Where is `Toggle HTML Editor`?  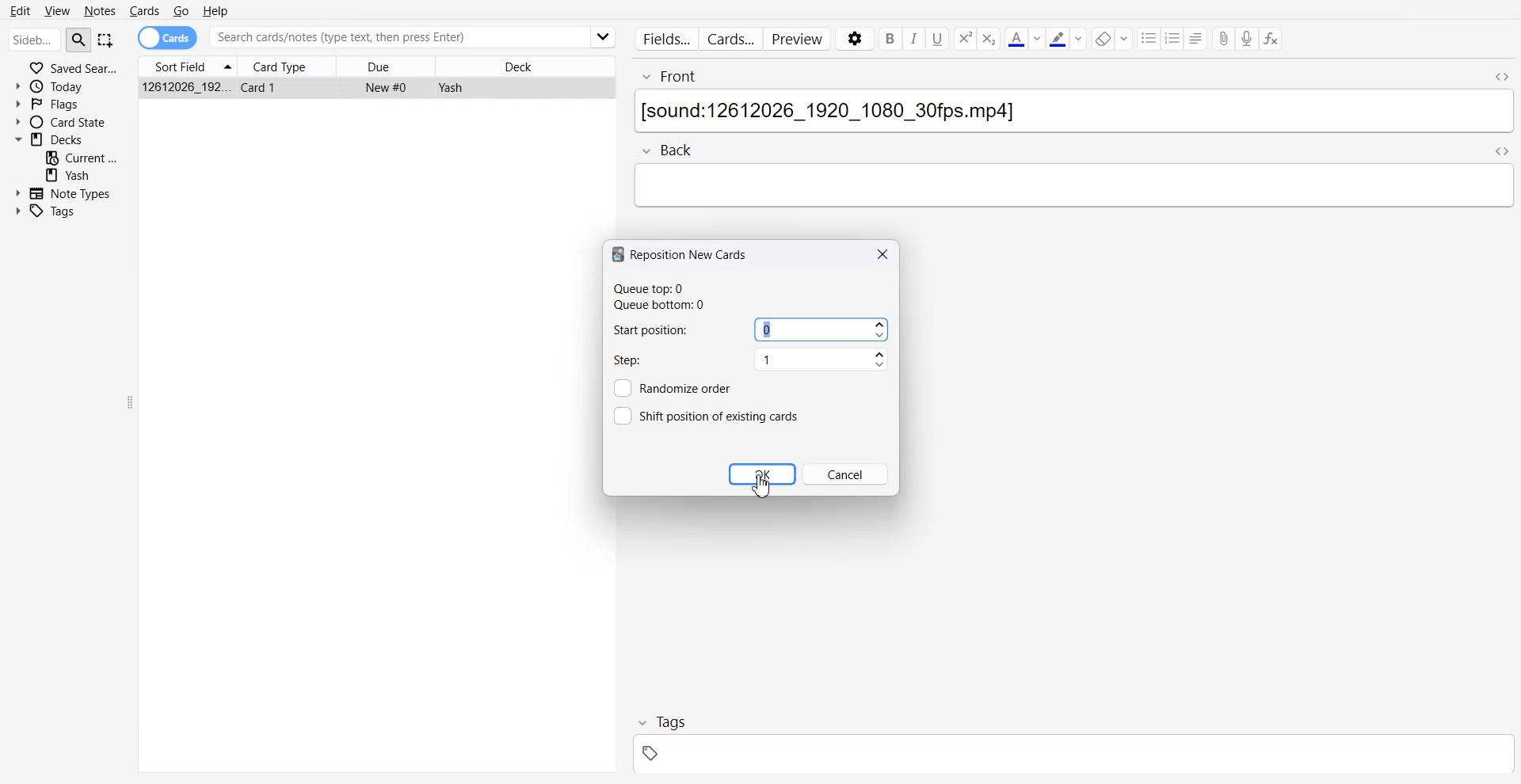
Toggle HTML Editor is located at coordinates (1498, 75).